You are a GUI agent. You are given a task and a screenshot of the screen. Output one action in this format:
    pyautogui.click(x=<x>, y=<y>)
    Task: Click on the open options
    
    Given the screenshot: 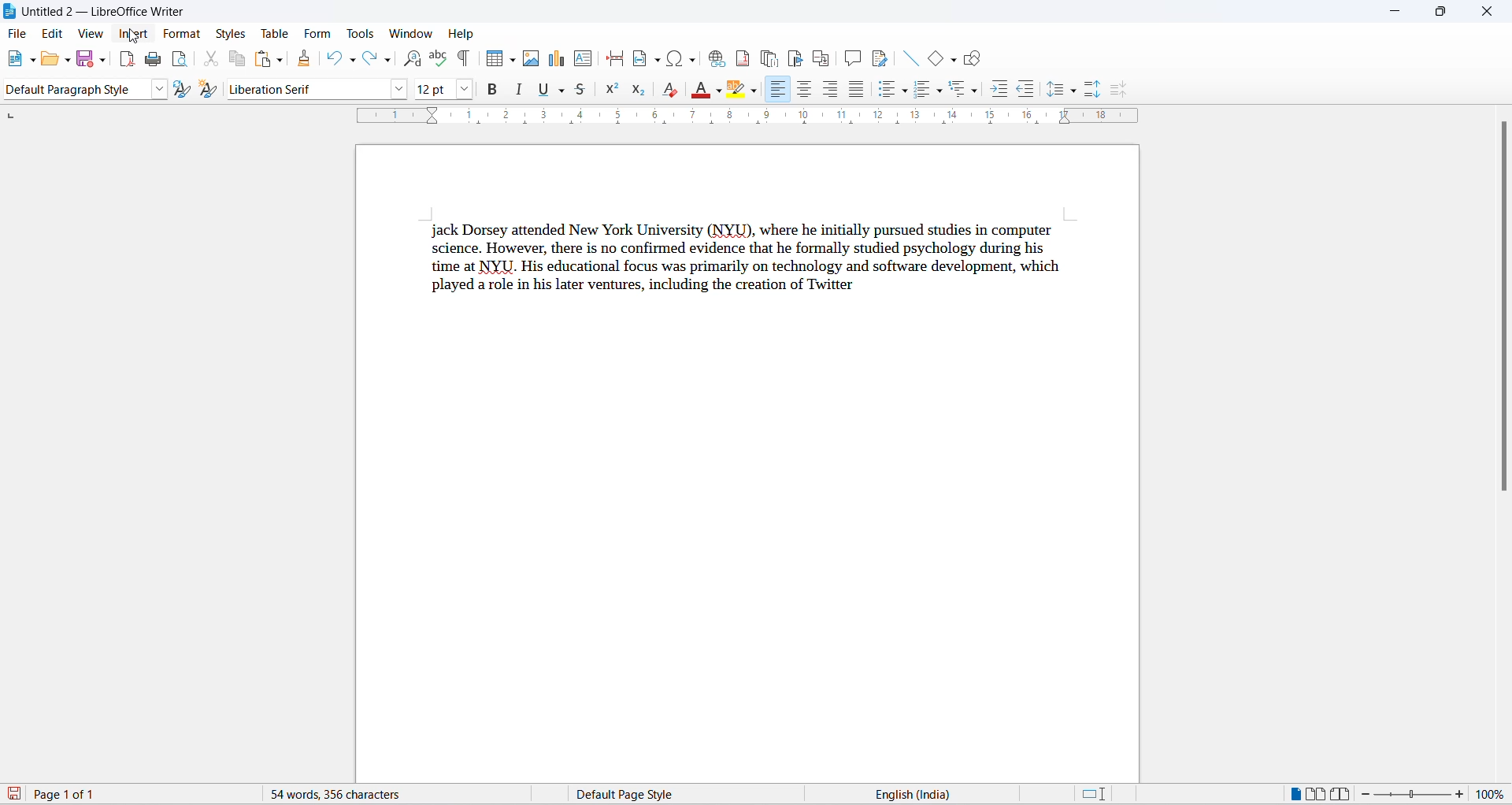 What is the action you would take?
    pyautogui.click(x=69, y=60)
    